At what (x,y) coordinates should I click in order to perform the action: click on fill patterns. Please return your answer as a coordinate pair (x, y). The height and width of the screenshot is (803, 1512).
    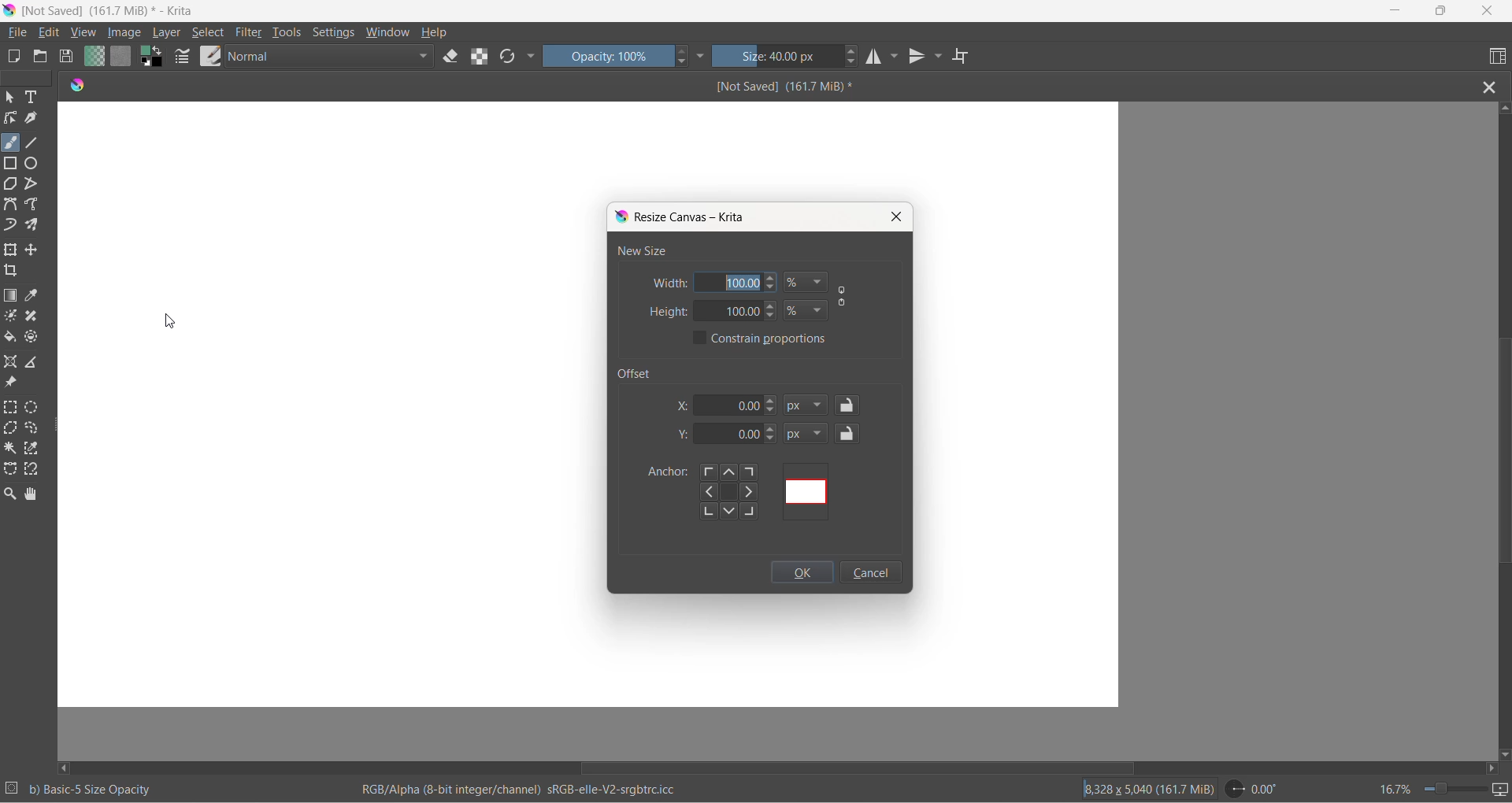
    Looking at the image, I should click on (121, 58).